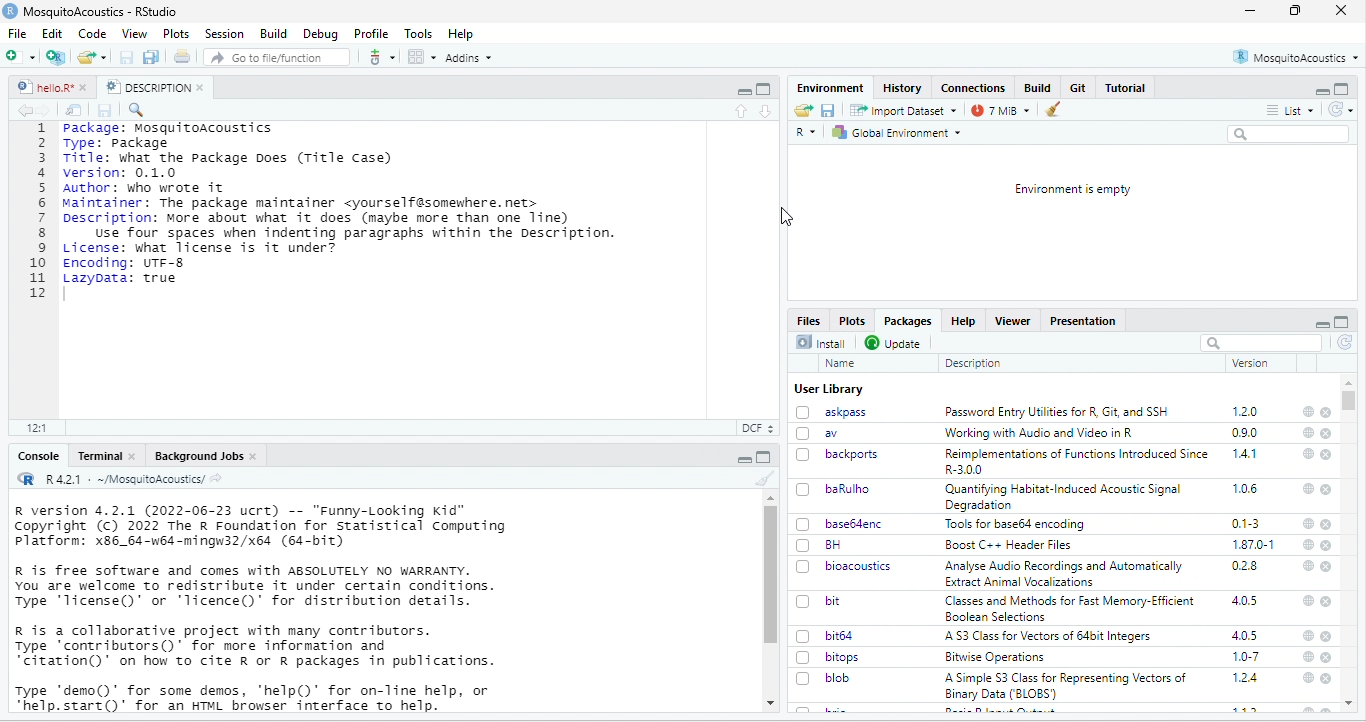 The image size is (1366, 722). I want to click on version, so click(1248, 363).